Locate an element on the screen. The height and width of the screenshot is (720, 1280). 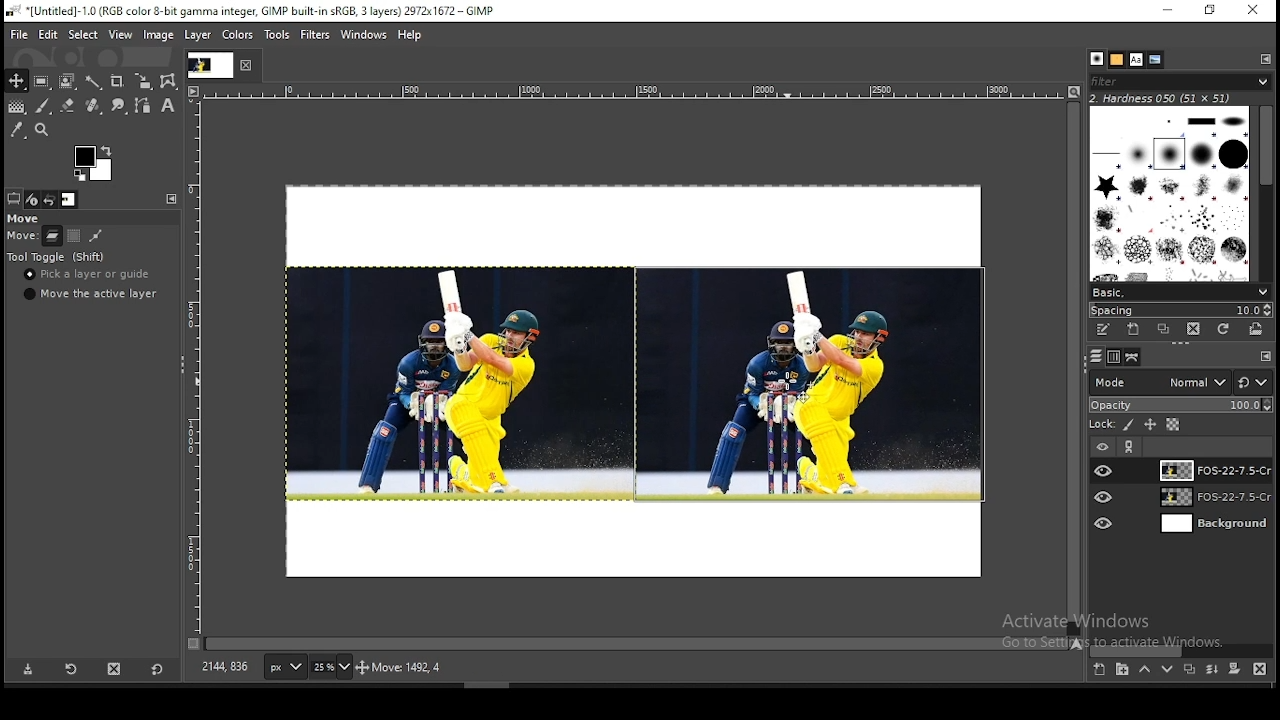
icon and file name is located at coordinates (248, 12).